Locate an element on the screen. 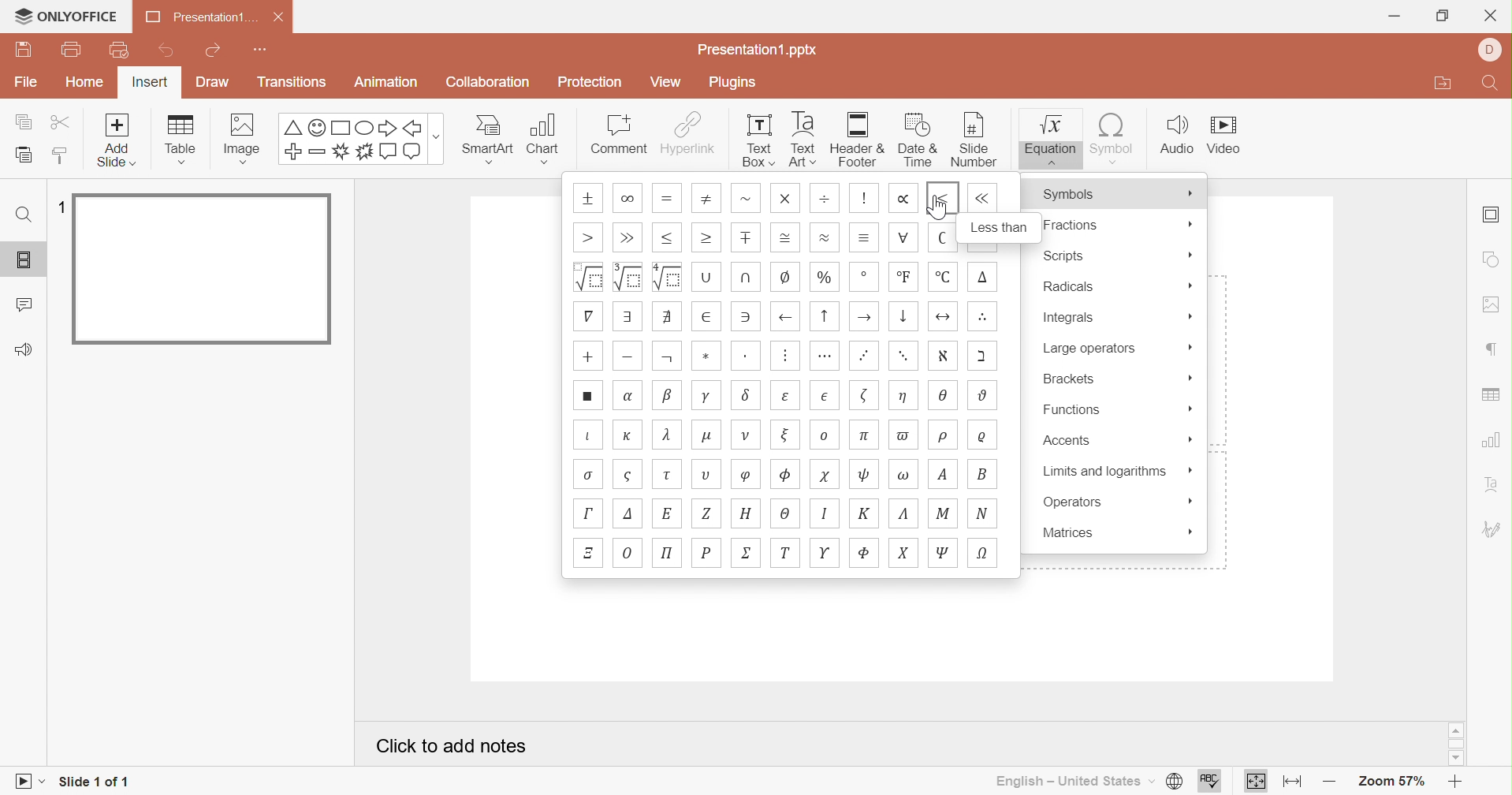  Table is located at coordinates (181, 140).